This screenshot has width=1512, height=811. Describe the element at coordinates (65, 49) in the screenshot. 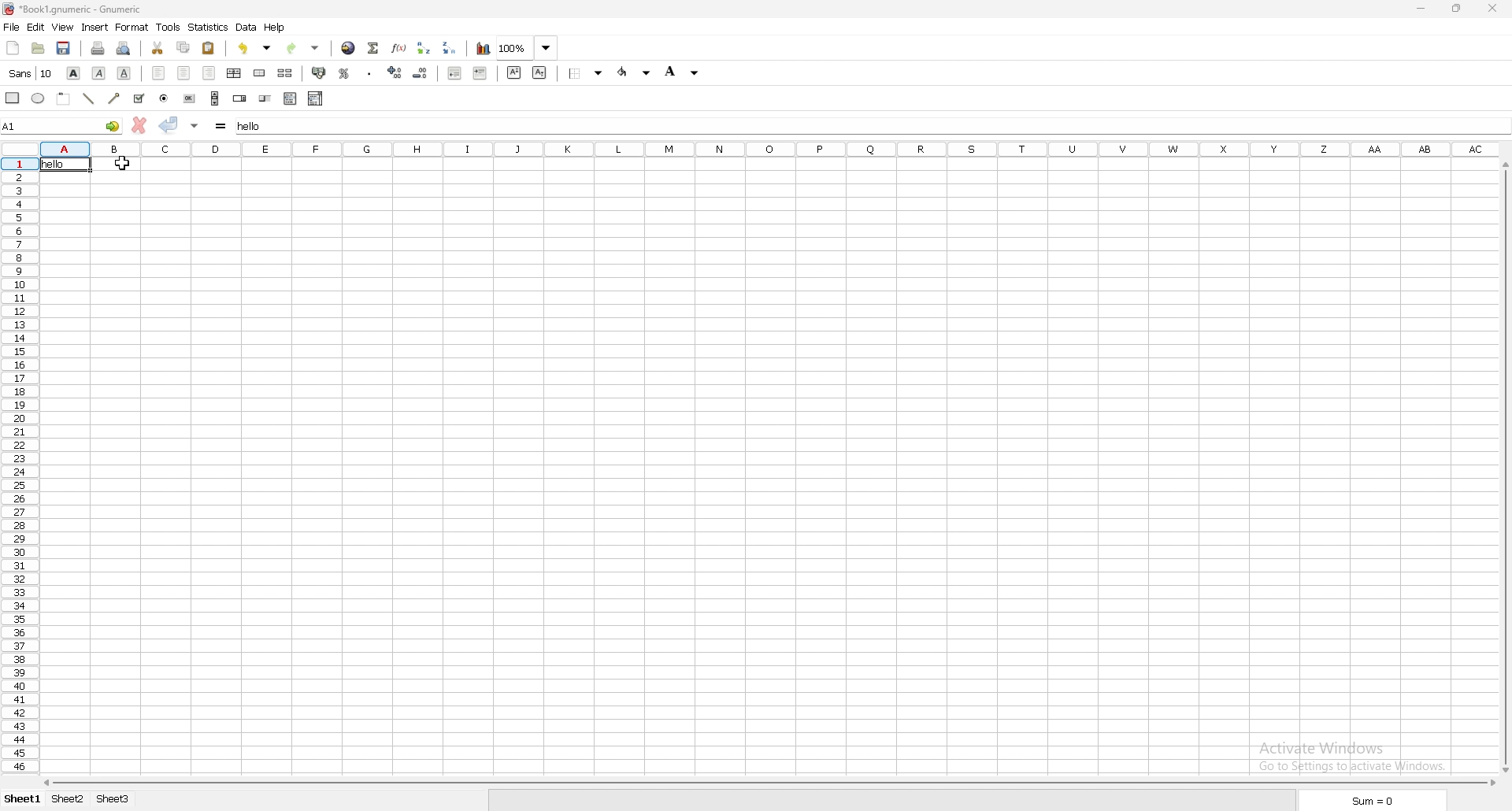

I see `save` at that location.